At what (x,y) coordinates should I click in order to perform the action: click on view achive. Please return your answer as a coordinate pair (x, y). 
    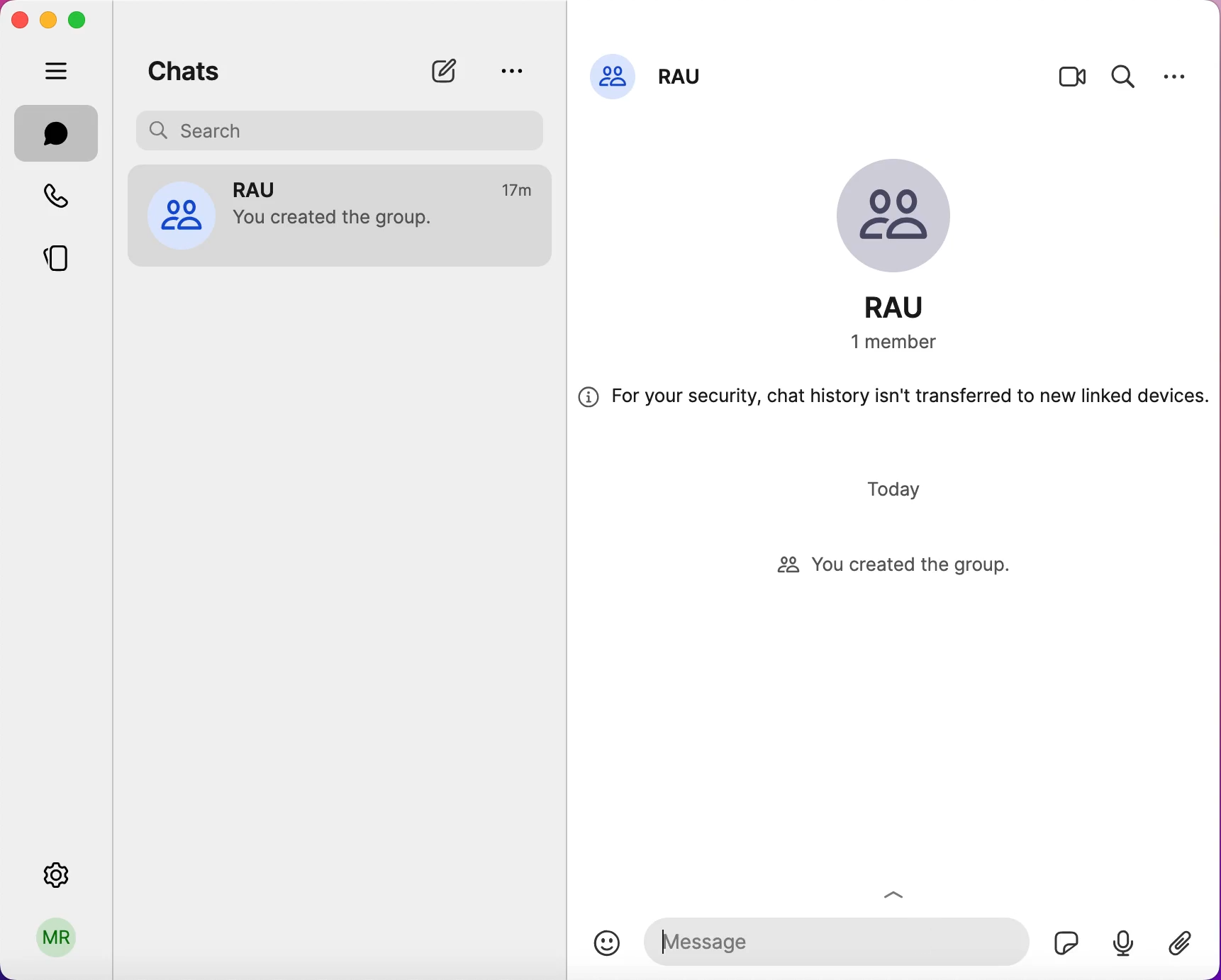
    Looking at the image, I should click on (511, 70).